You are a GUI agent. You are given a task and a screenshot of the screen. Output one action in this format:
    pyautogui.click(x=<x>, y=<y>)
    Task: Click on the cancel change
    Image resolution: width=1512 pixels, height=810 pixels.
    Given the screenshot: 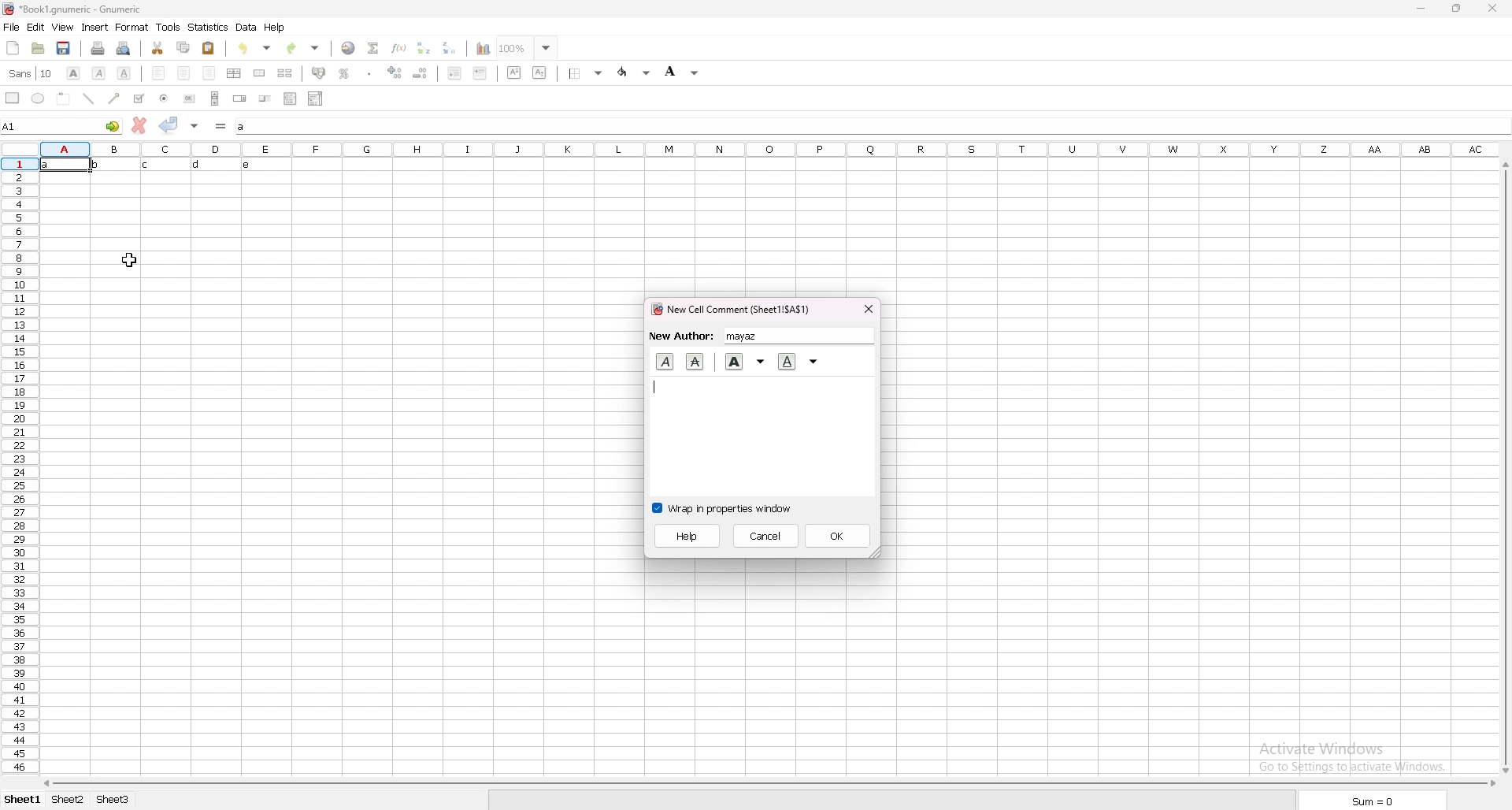 What is the action you would take?
    pyautogui.click(x=139, y=124)
    